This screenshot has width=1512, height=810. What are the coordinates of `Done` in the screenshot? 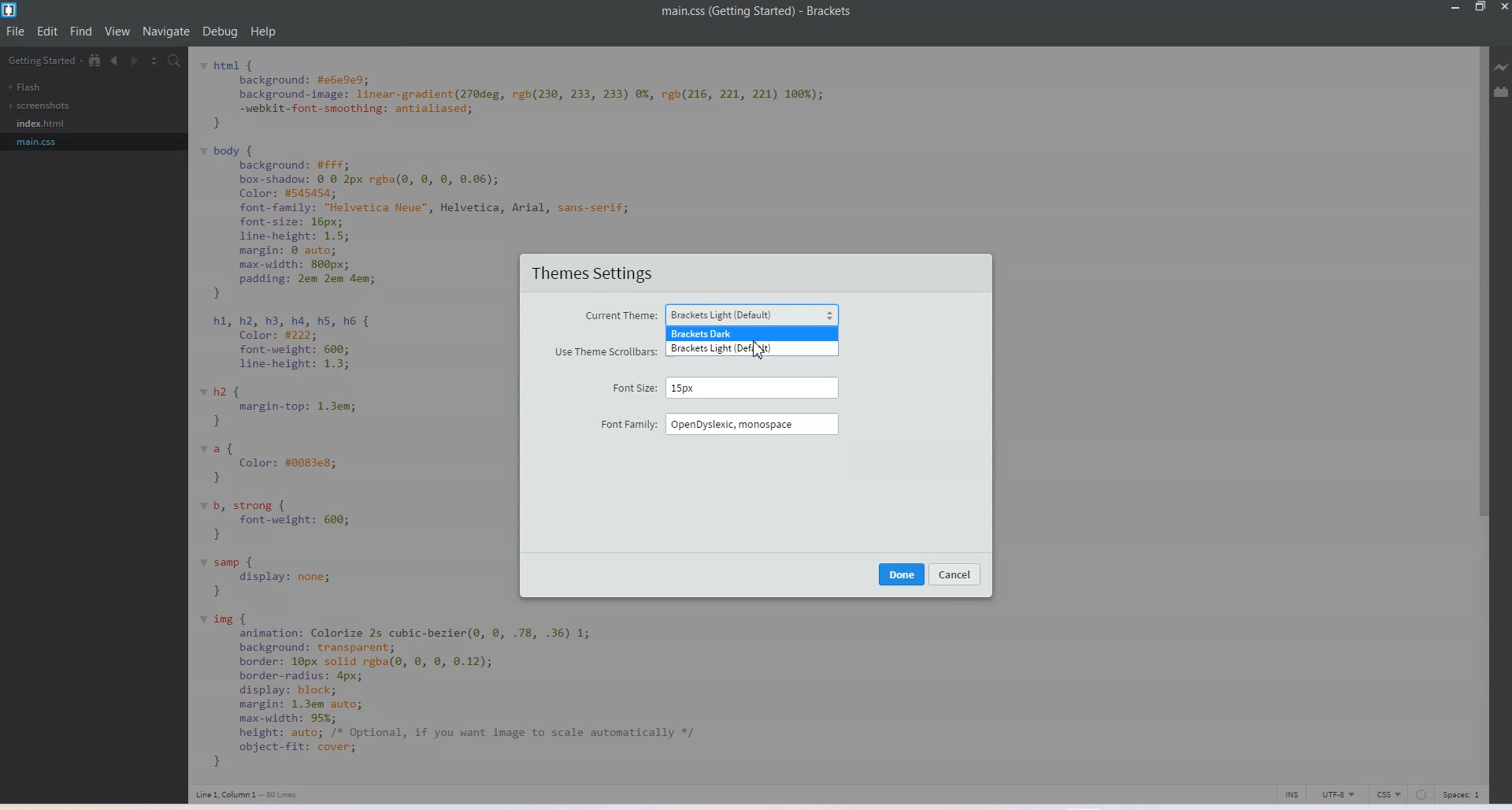 It's located at (902, 574).